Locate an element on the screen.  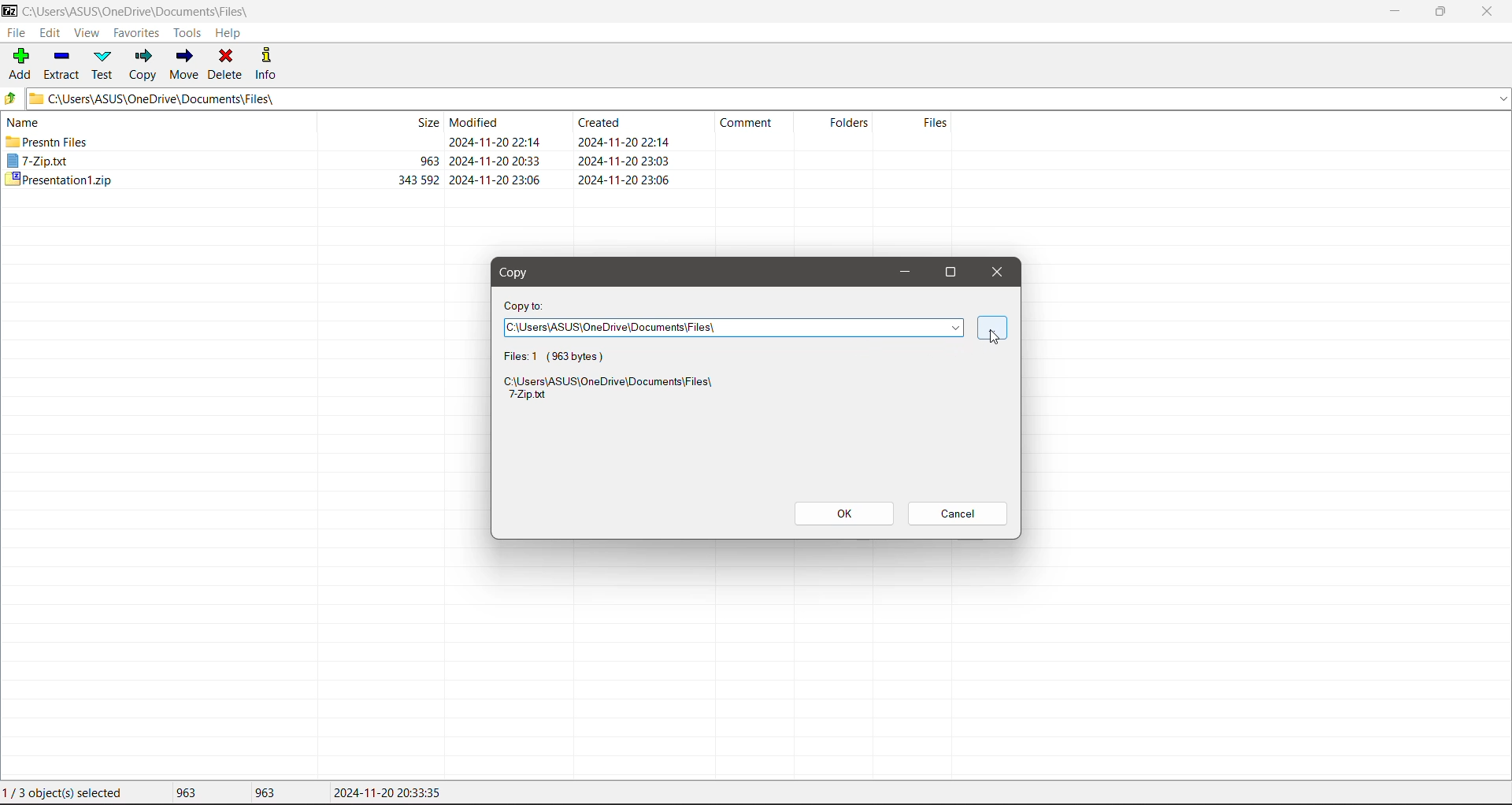
Delete is located at coordinates (227, 63).